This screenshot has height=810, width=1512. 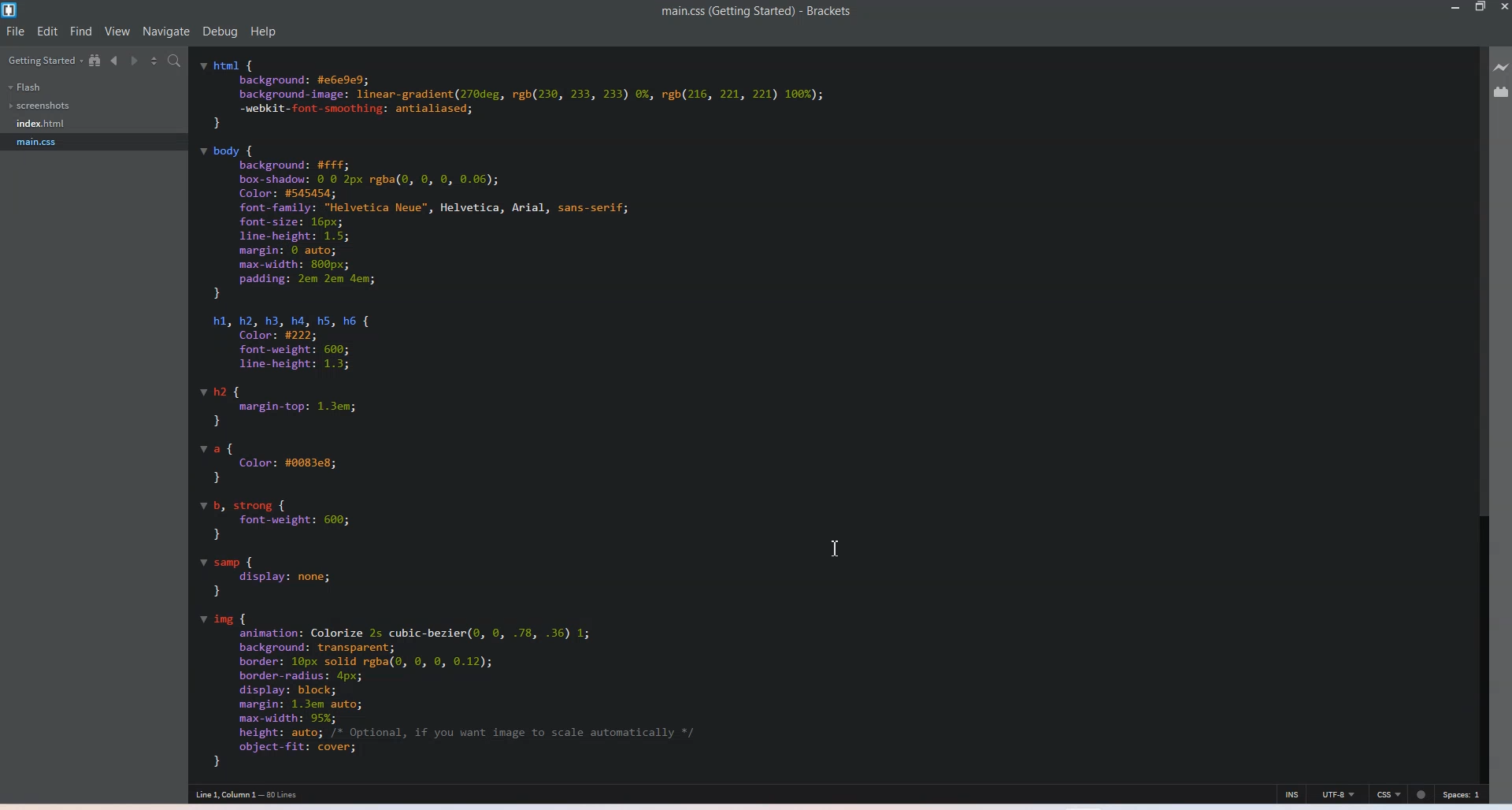 I want to click on Split editor vertically and Horizontally, so click(x=155, y=61).